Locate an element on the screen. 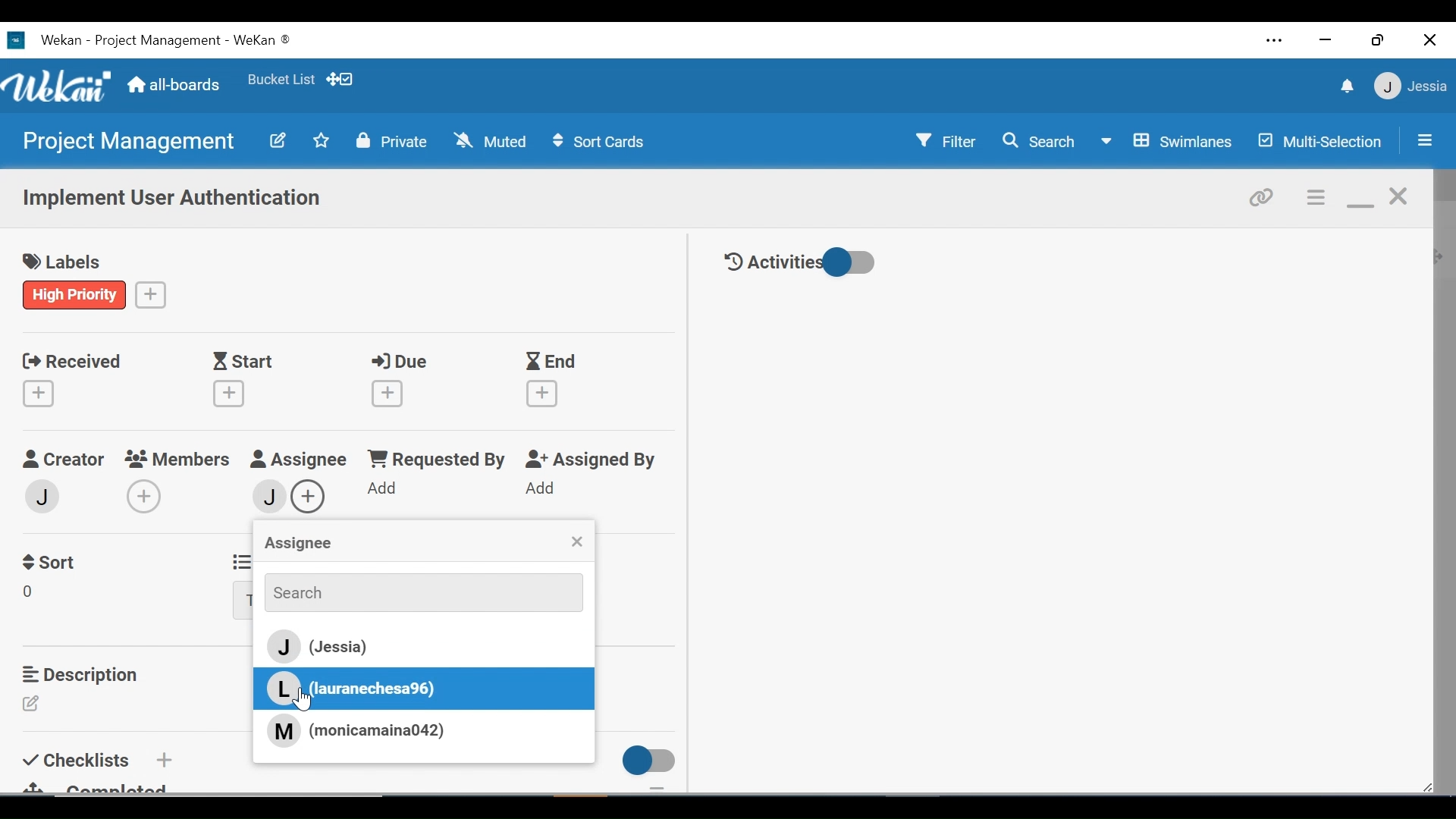 This screenshot has width=1456, height=819. Create Received Date is located at coordinates (42, 393).